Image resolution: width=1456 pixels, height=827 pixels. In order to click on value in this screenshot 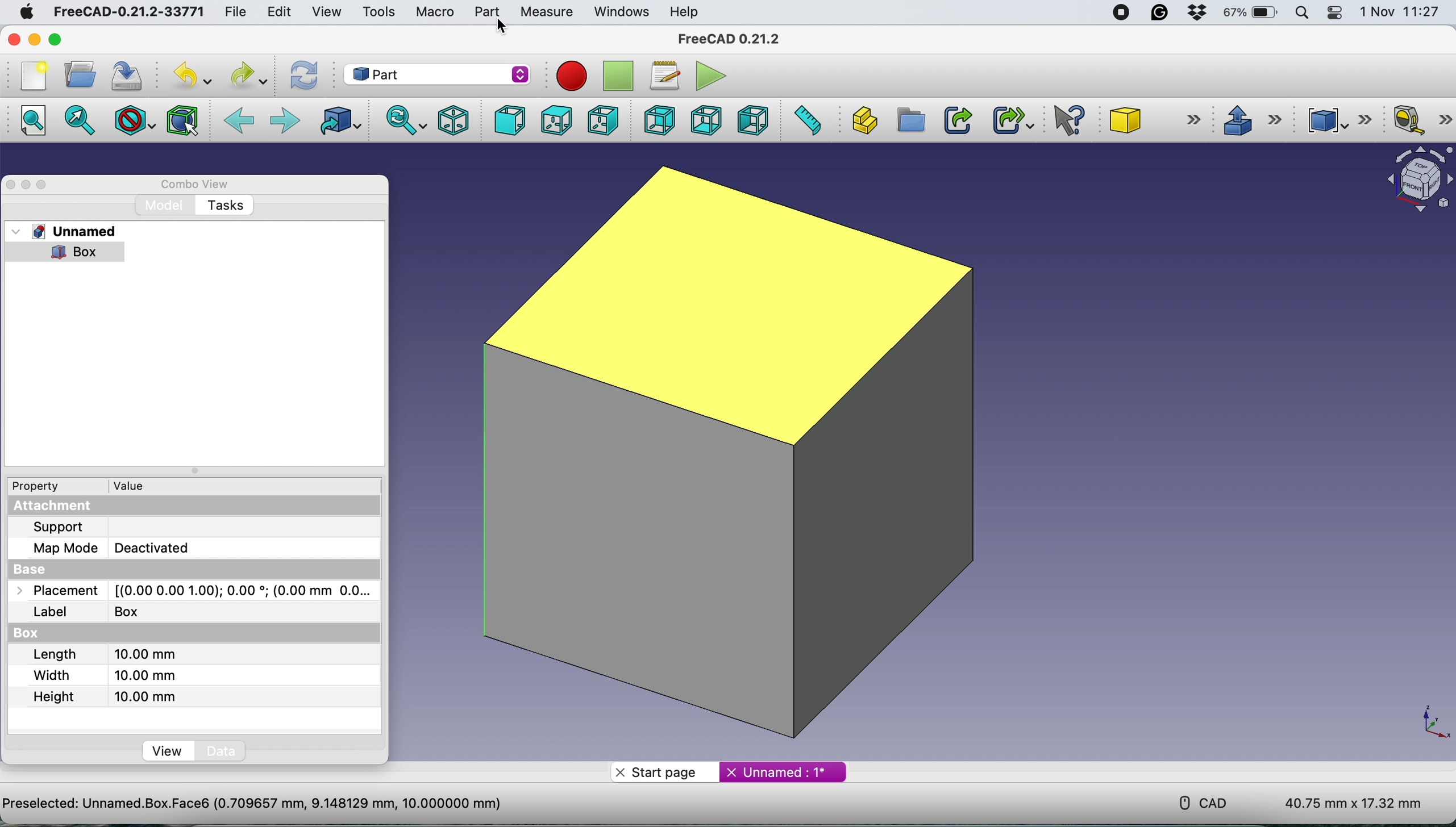, I will do `click(125, 487)`.